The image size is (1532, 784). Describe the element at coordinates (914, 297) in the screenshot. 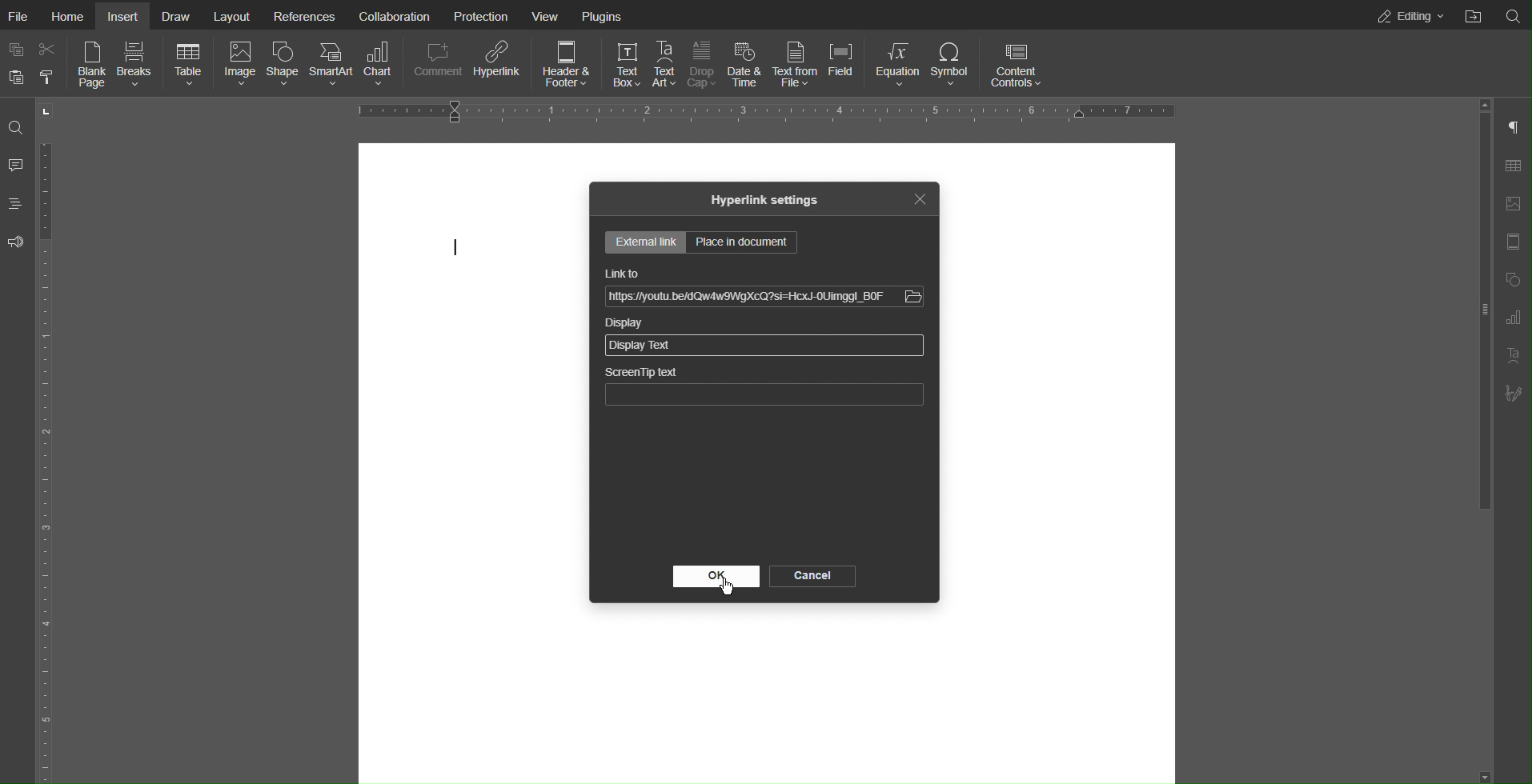

I see `` at that location.